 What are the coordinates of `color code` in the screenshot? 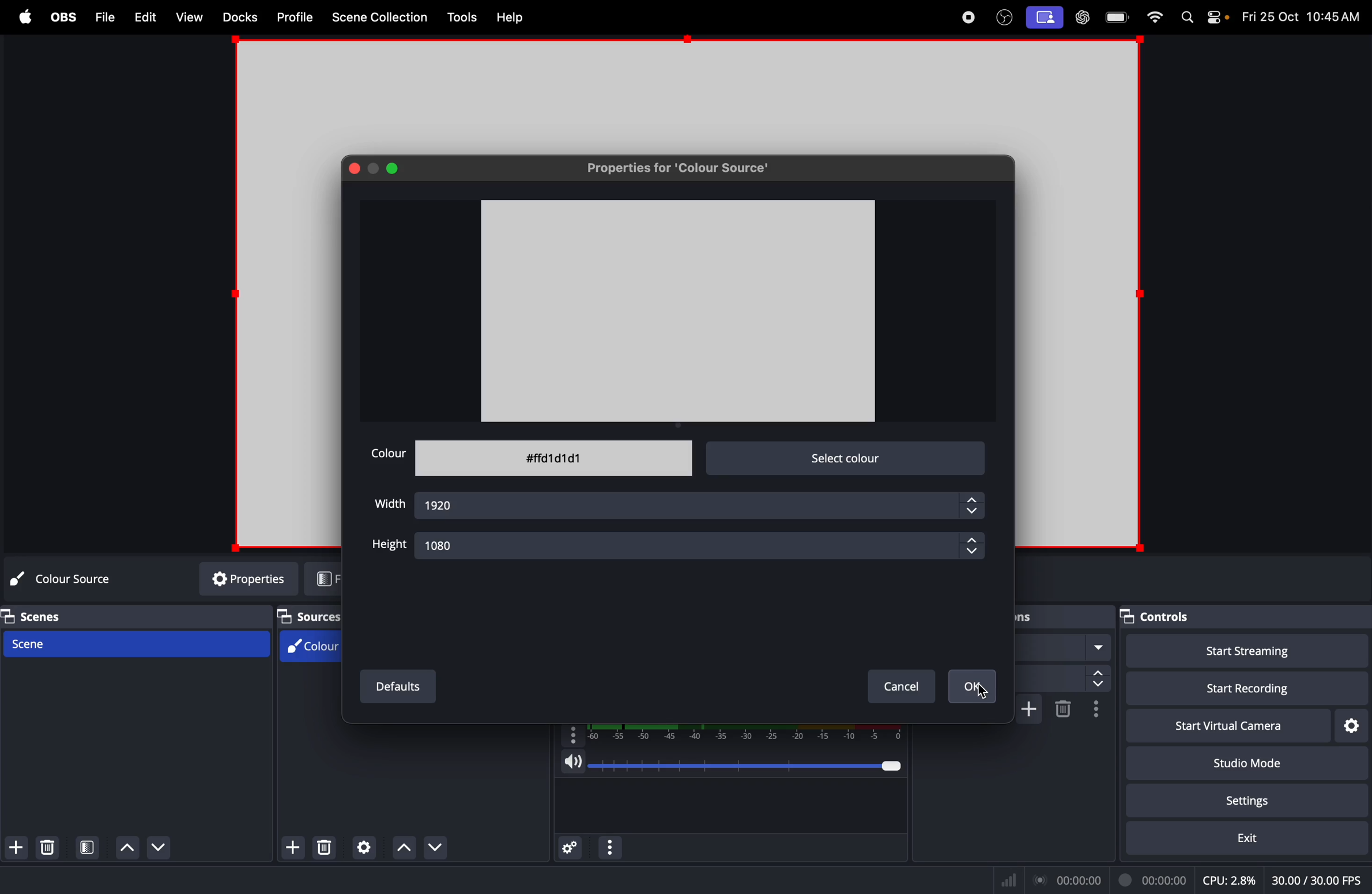 It's located at (554, 457).